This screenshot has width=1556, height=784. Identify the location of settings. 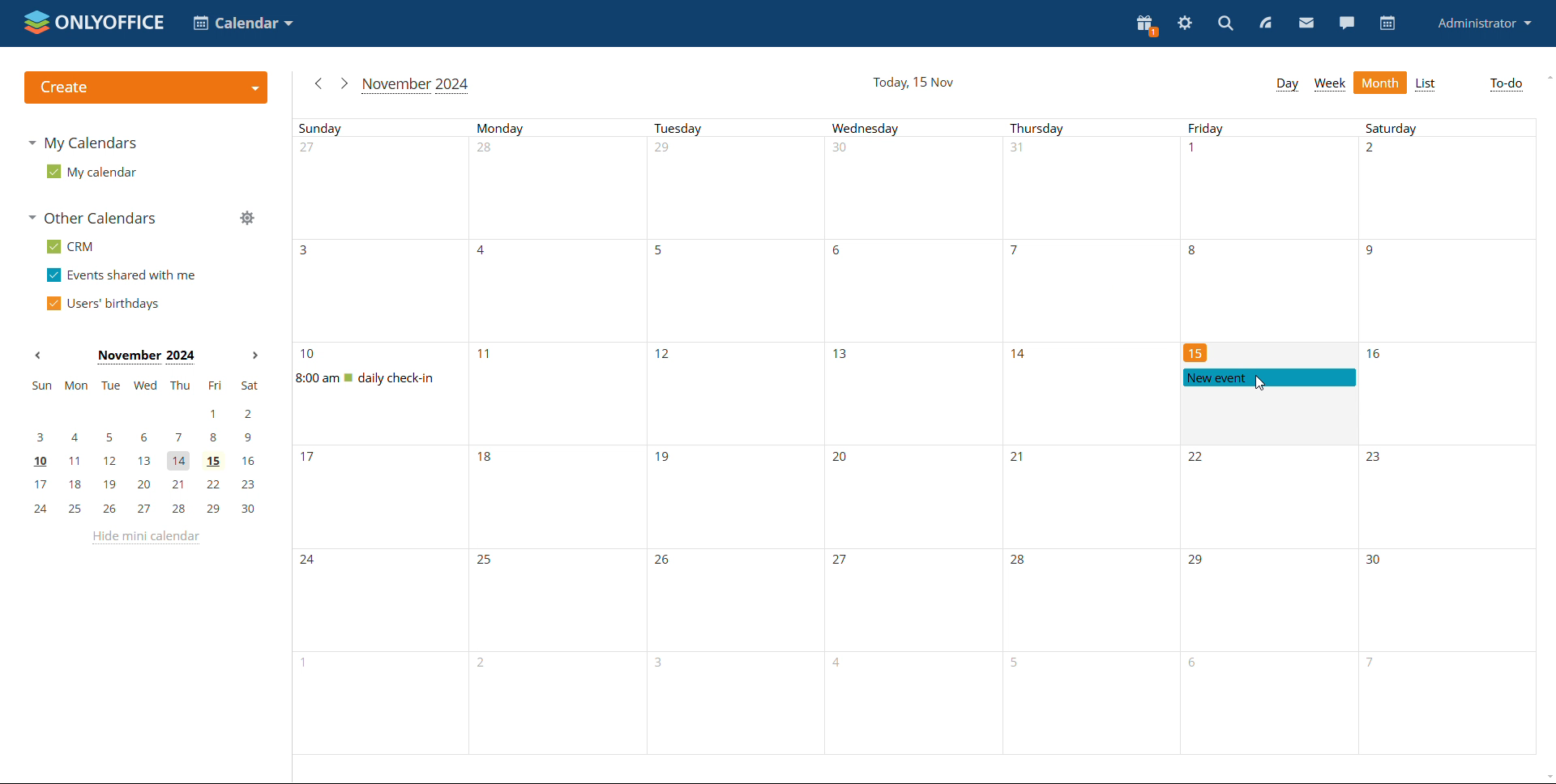
(1184, 23).